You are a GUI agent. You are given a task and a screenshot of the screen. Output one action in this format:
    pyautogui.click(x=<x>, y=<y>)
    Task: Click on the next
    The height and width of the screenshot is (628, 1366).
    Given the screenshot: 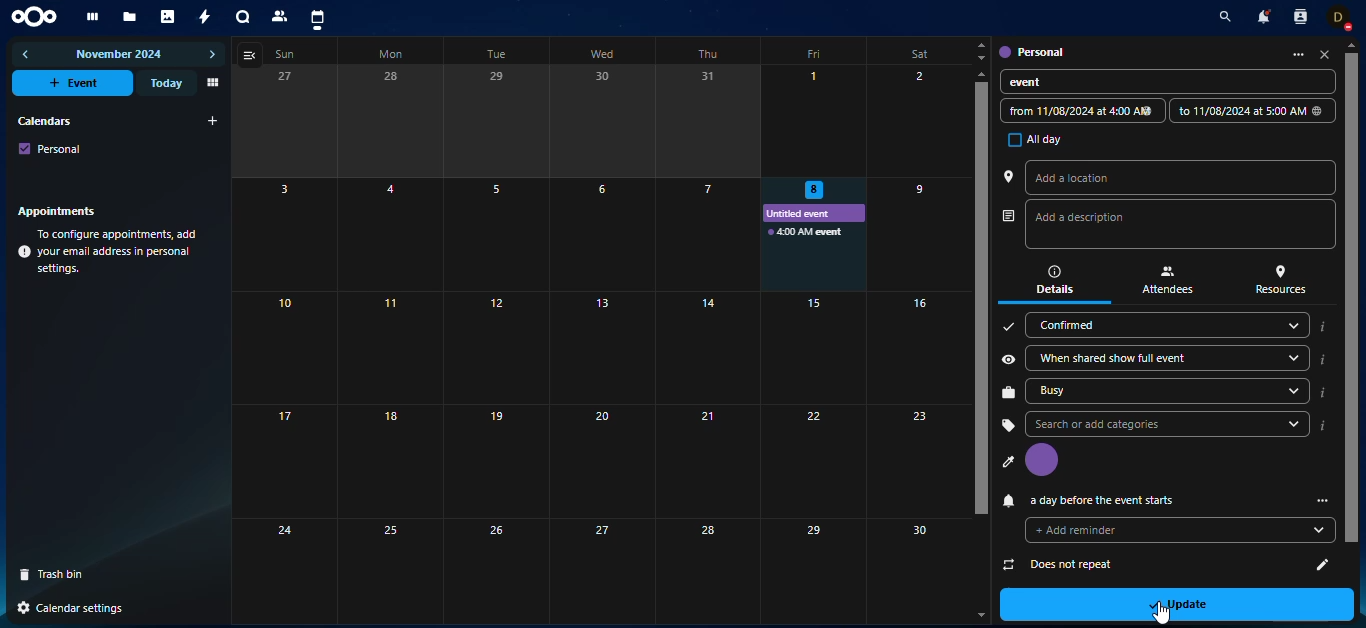 What is the action you would take?
    pyautogui.click(x=212, y=55)
    